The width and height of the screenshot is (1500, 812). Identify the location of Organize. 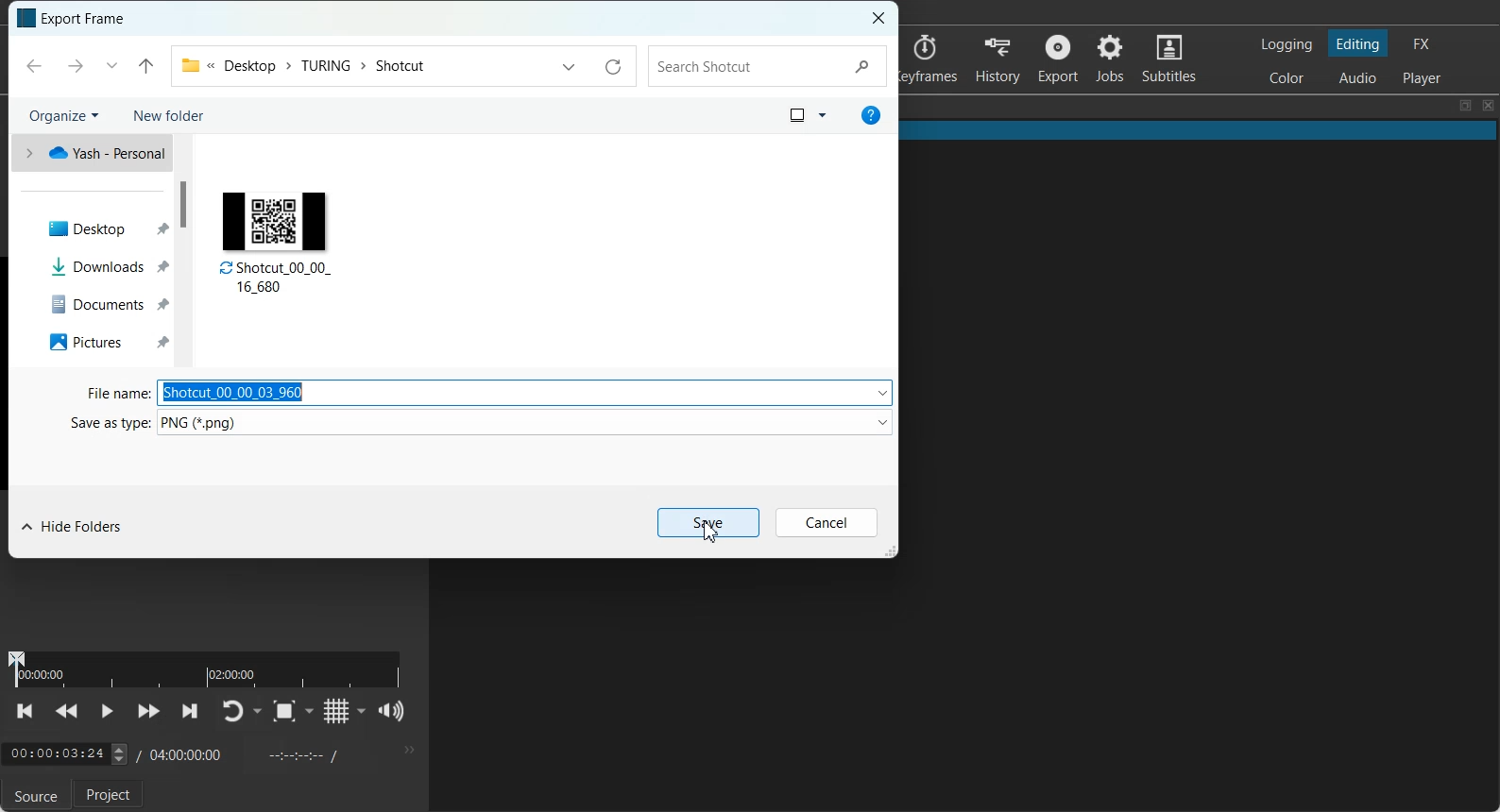
(62, 115).